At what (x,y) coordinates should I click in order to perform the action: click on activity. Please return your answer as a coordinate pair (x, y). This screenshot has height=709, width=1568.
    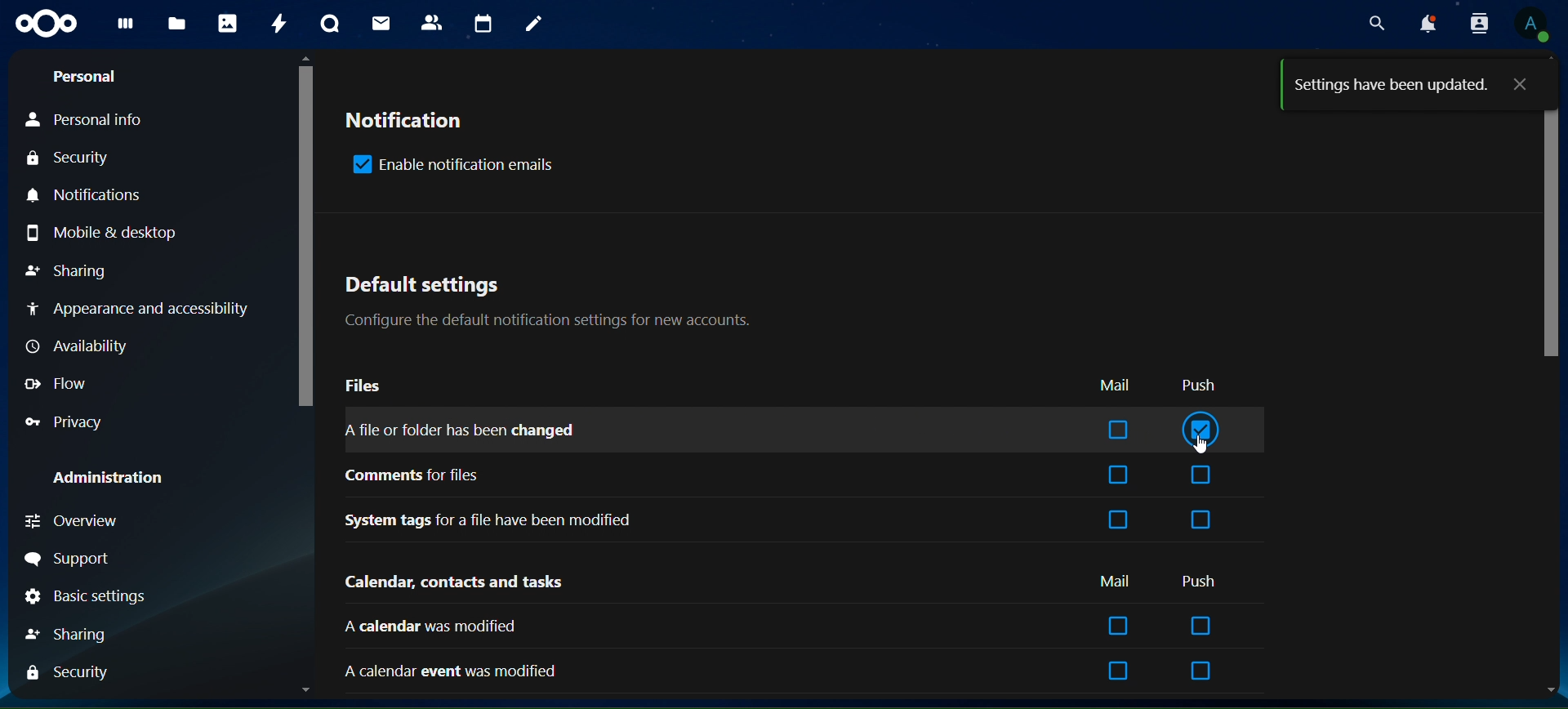
    Looking at the image, I should click on (276, 24).